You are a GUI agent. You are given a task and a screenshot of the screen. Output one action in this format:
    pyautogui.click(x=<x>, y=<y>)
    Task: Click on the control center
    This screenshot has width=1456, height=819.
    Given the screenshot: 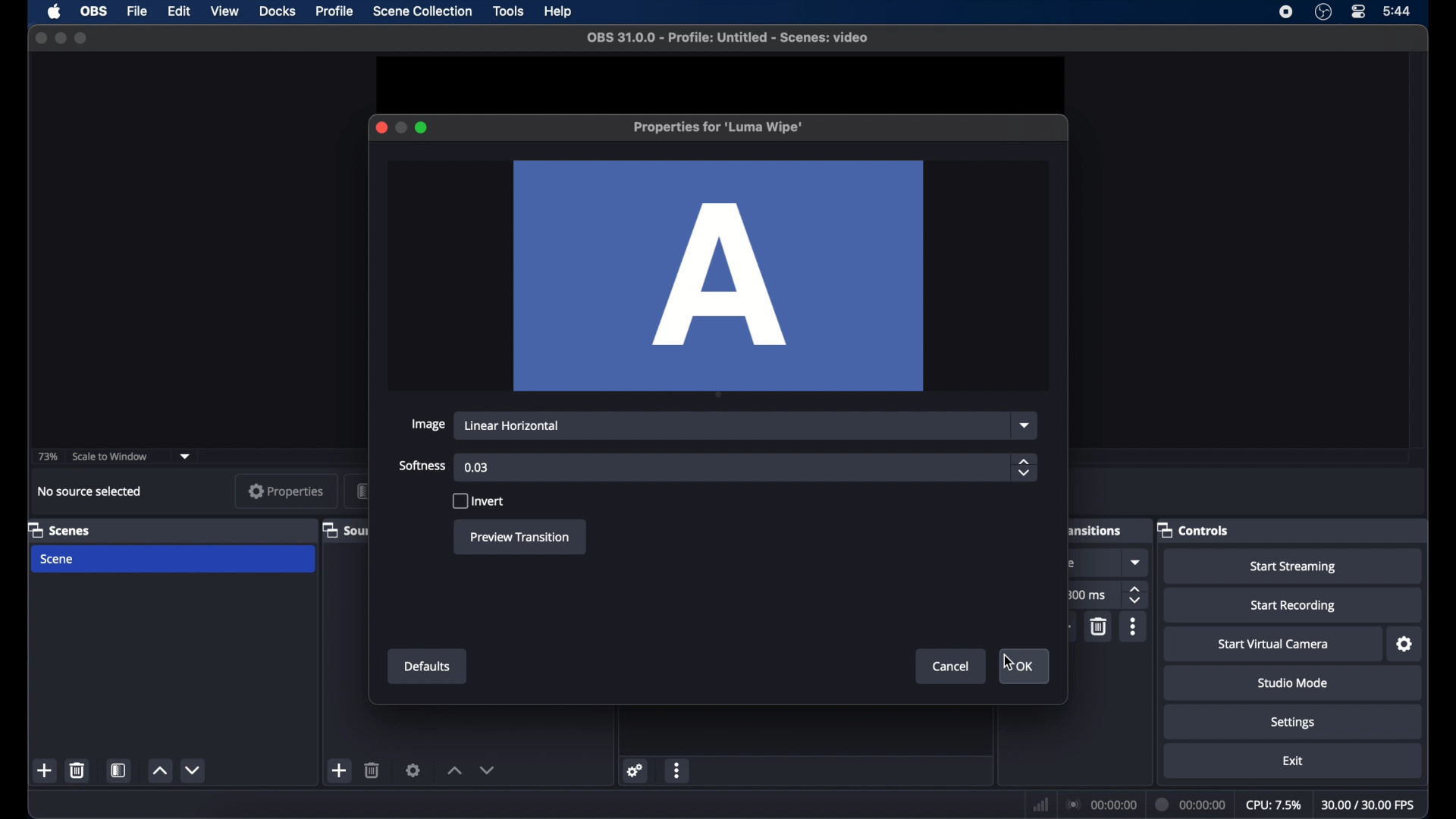 What is the action you would take?
    pyautogui.click(x=1359, y=11)
    